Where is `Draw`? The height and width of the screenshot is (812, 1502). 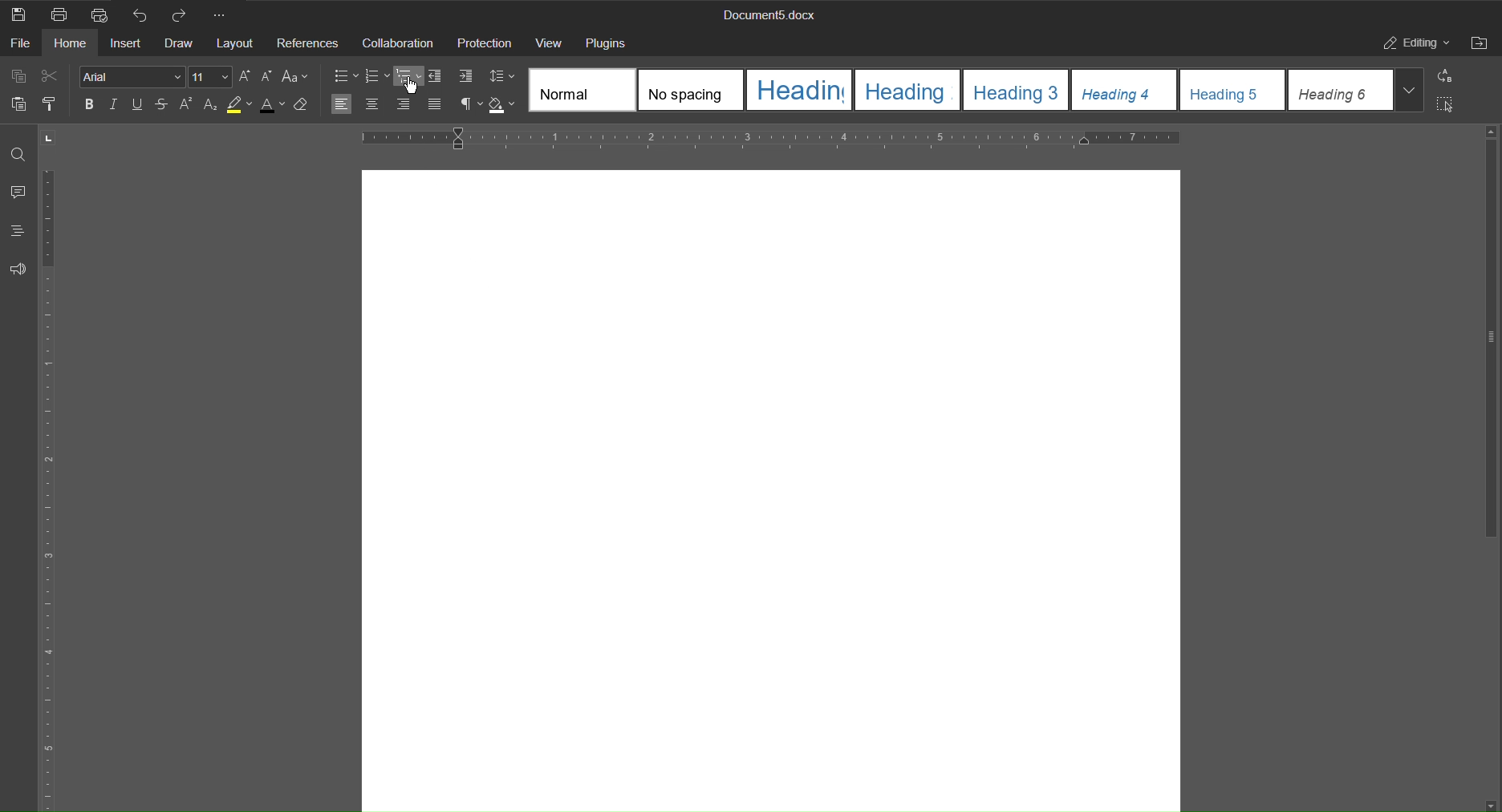
Draw is located at coordinates (181, 45).